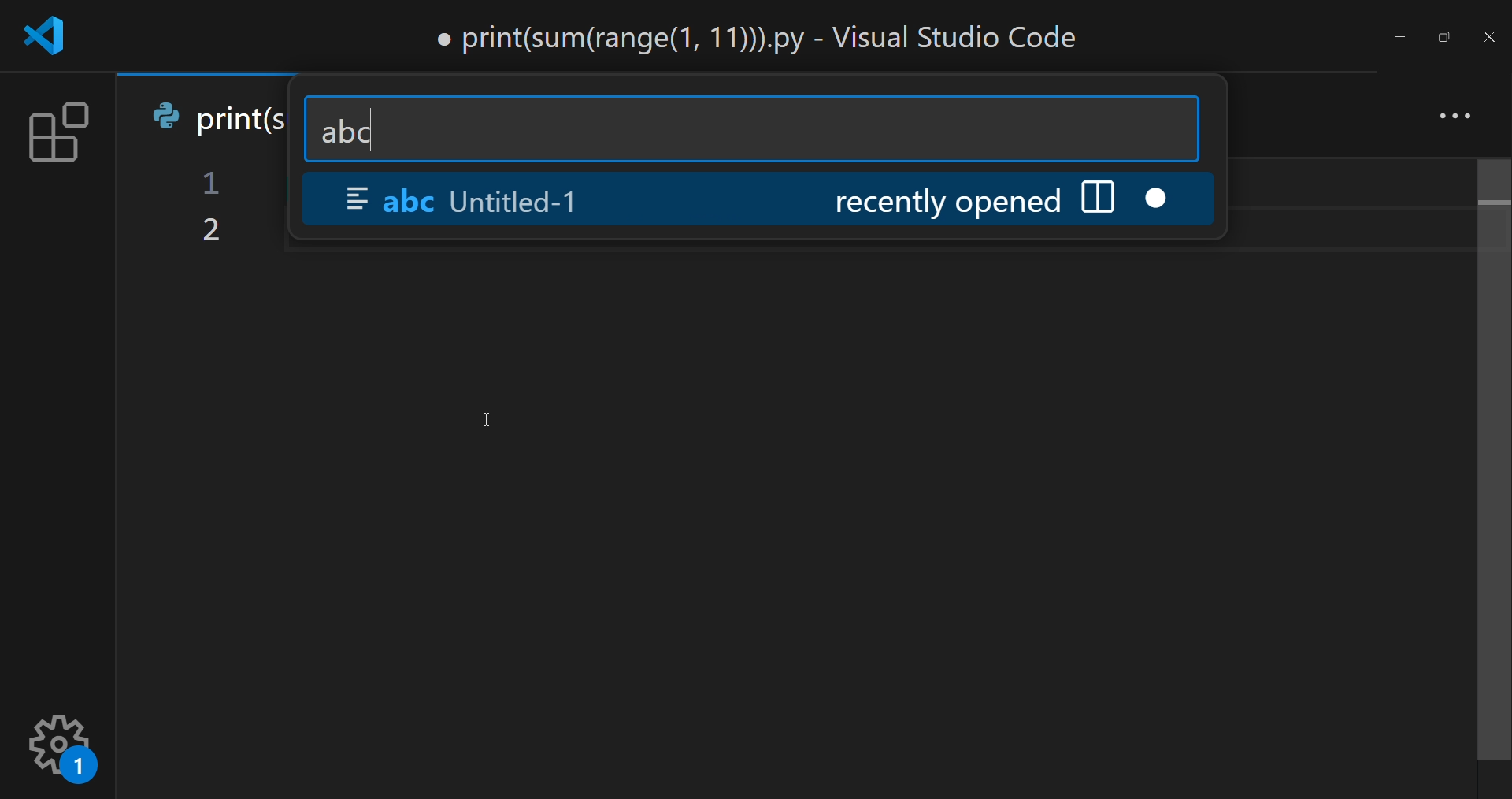 The width and height of the screenshot is (1512, 799). Describe the element at coordinates (714, 198) in the screenshot. I see `abc Untitled-1 recently opened` at that location.